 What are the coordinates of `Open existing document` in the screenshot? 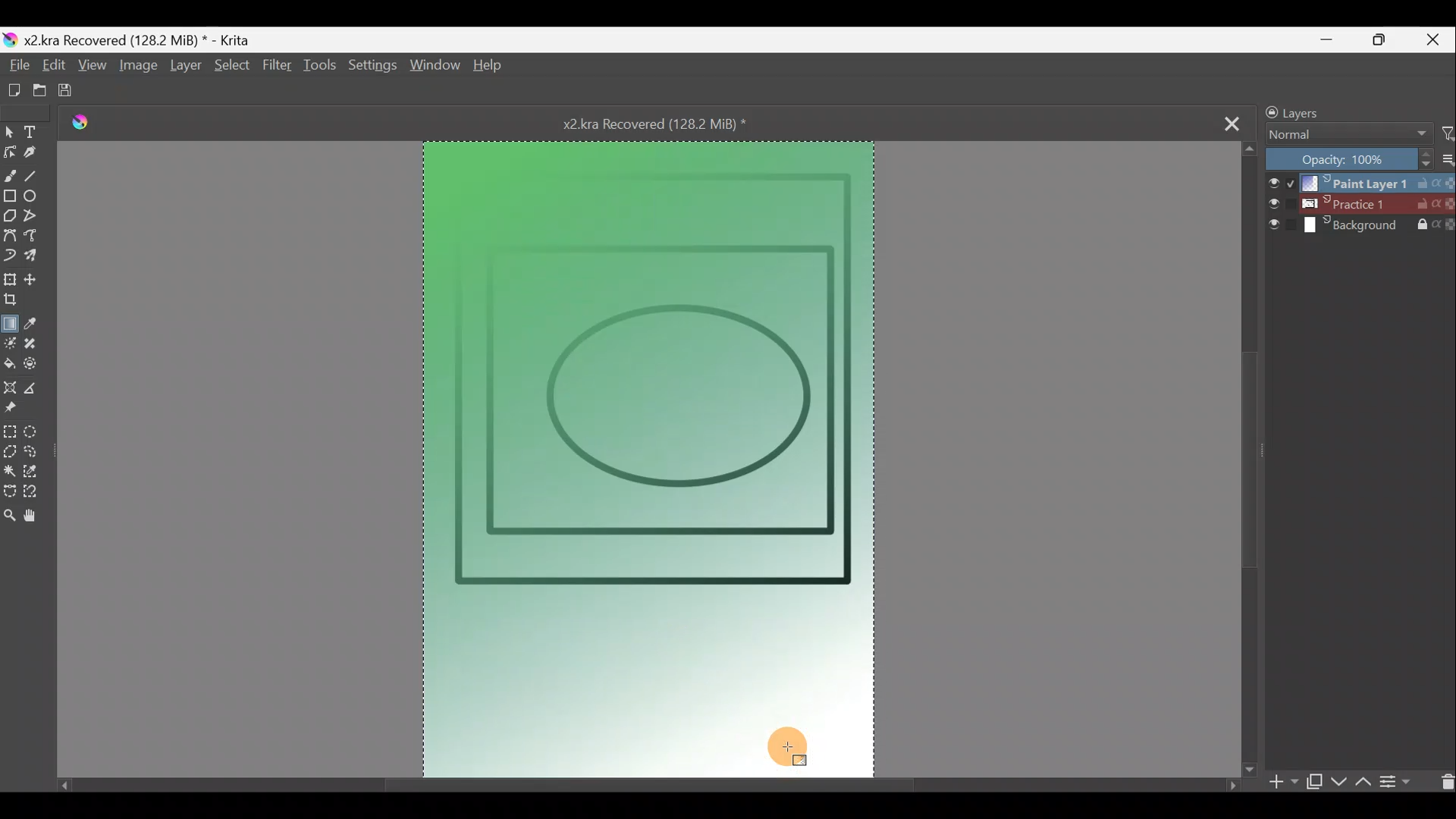 It's located at (33, 91).